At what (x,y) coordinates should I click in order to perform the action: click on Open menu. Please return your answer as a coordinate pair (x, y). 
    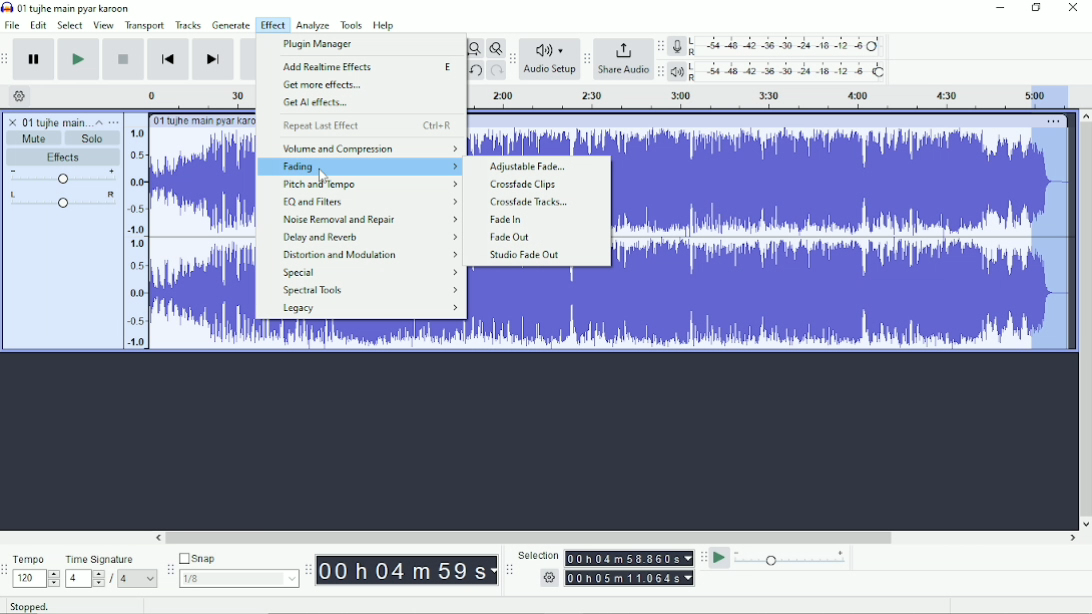
    Looking at the image, I should click on (115, 122).